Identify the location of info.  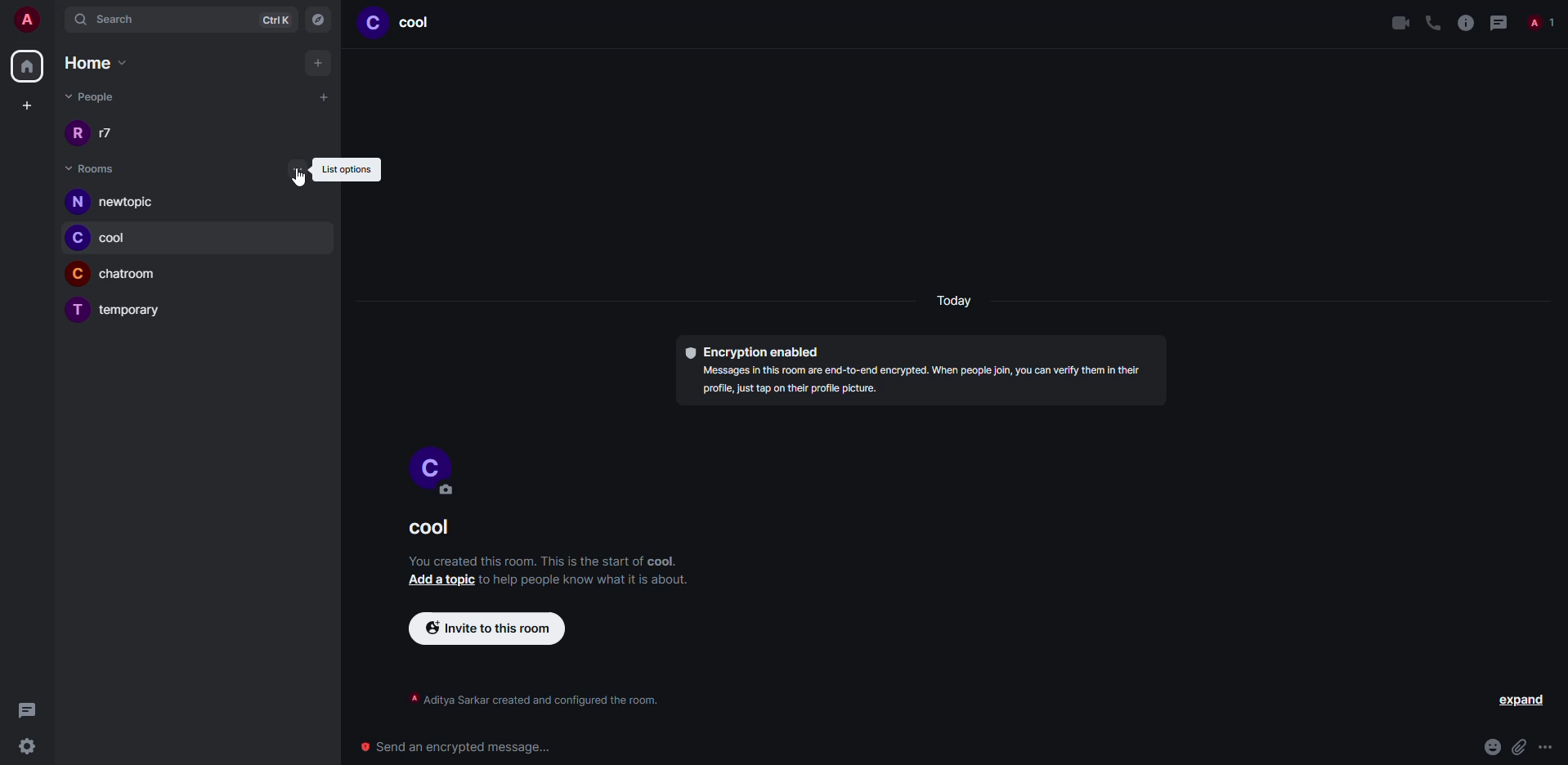
(587, 579).